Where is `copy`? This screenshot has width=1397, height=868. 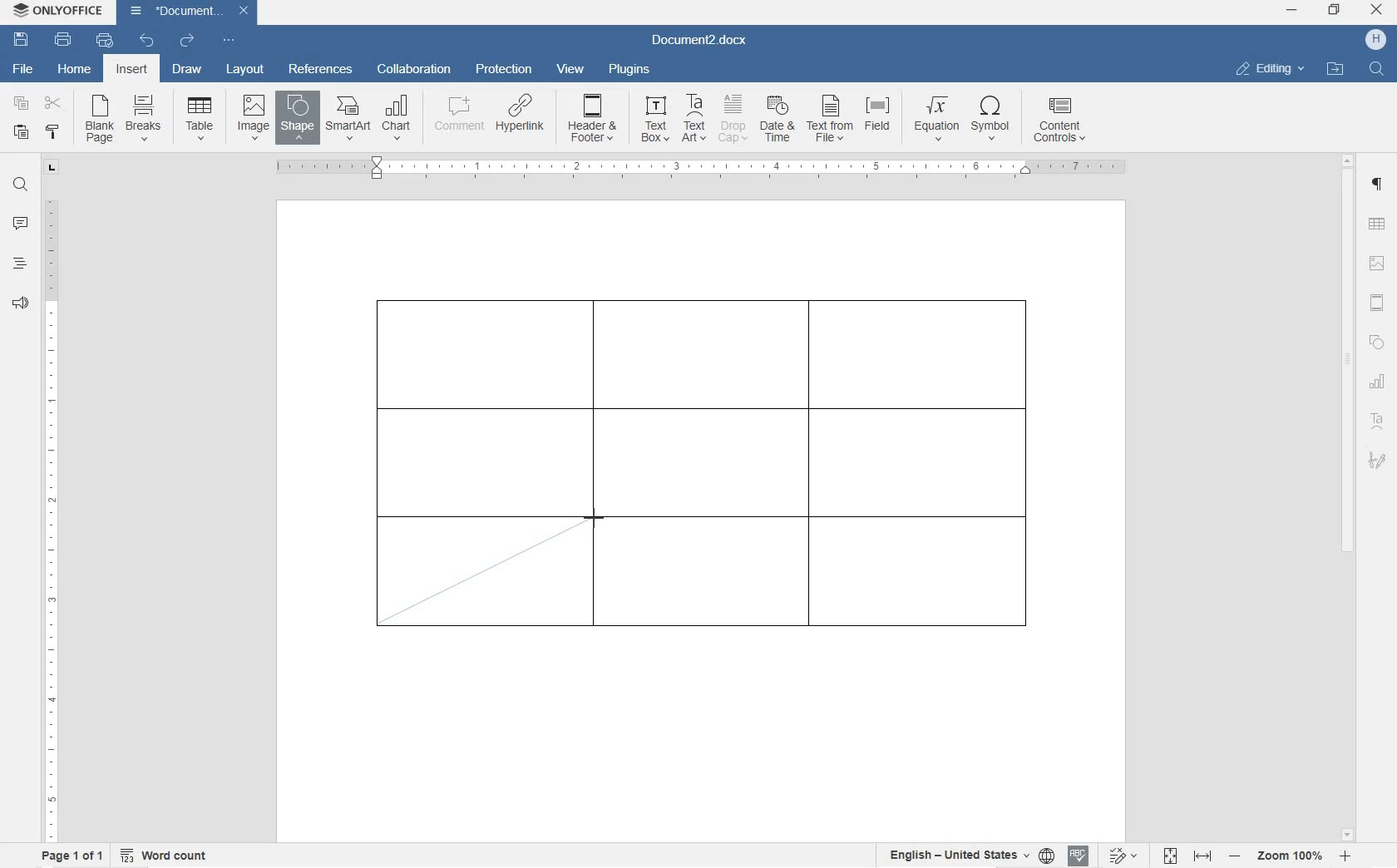 copy is located at coordinates (22, 106).